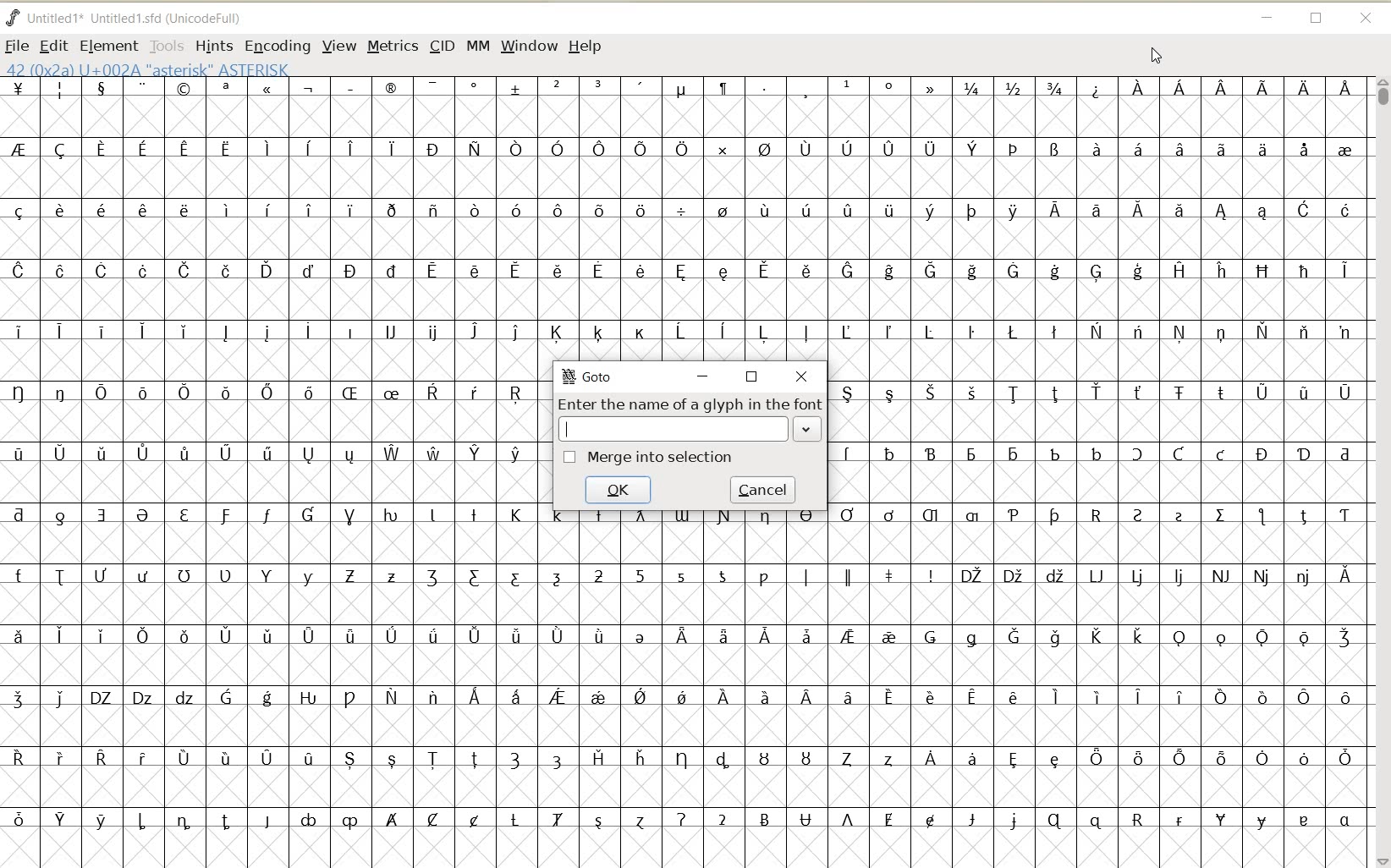 Image resolution: width=1391 pixels, height=868 pixels. I want to click on Enter the name of a glyph in the font, so click(690, 404).